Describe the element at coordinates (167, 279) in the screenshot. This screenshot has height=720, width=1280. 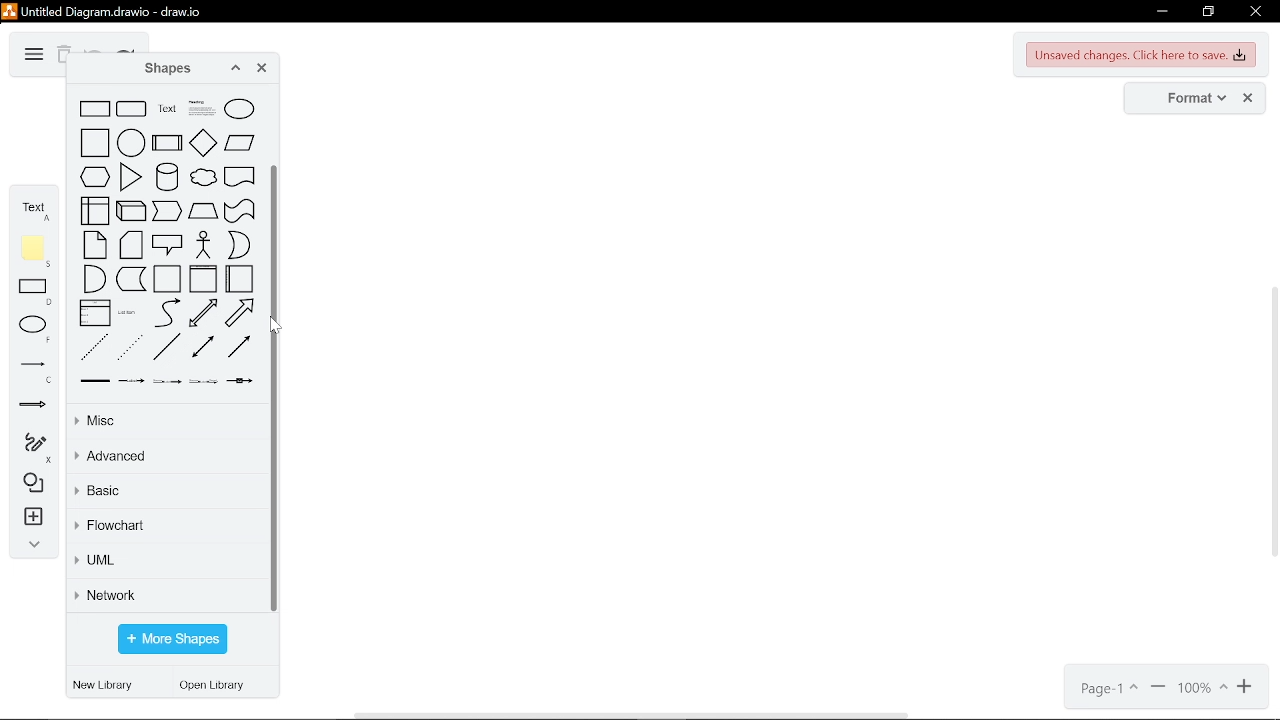
I see `container` at that location.